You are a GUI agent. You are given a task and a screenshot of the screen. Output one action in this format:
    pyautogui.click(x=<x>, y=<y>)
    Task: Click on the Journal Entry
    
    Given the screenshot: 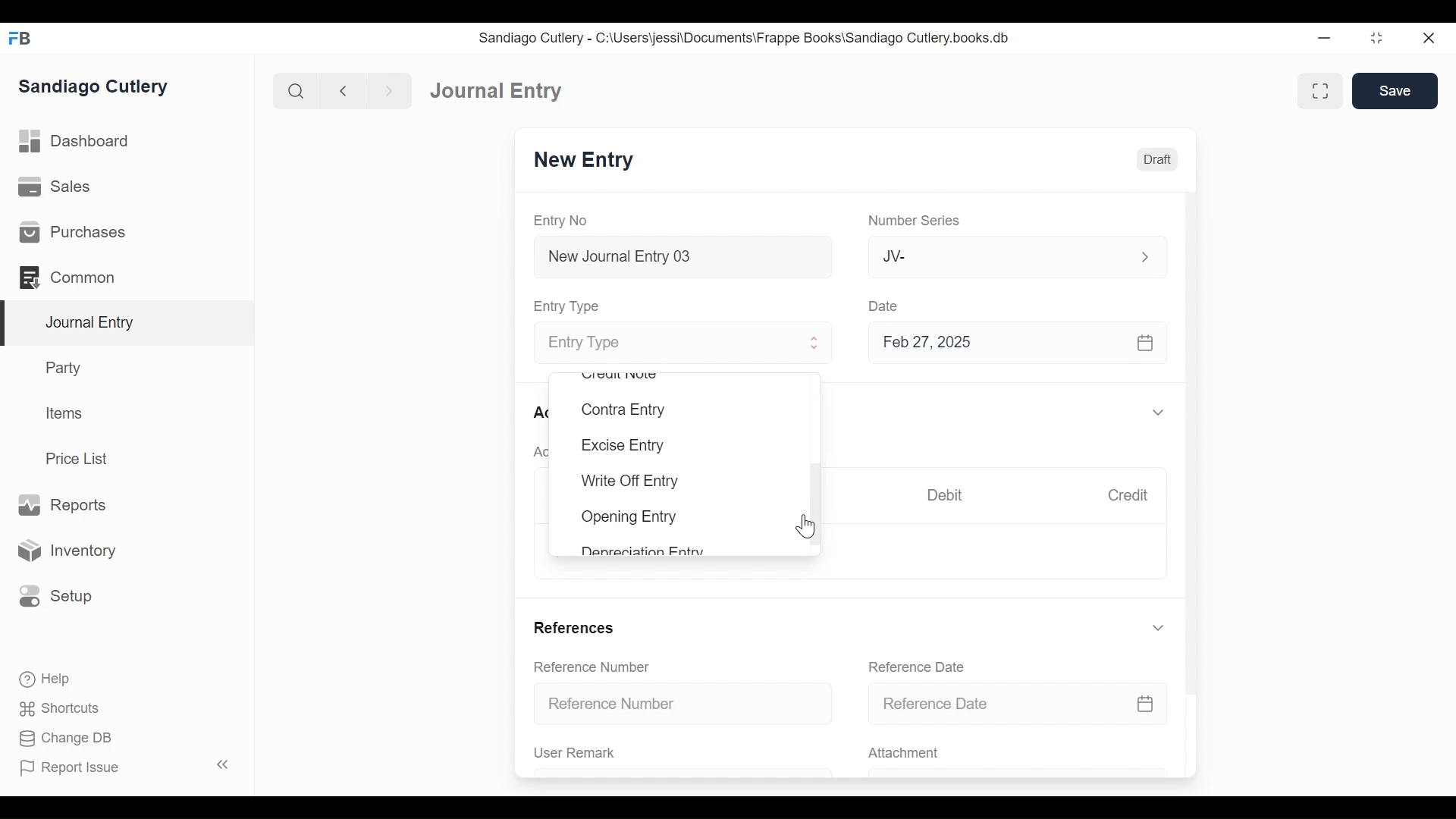 What is the action you would take?
    pyautogui.click(x=498, y=91)
    